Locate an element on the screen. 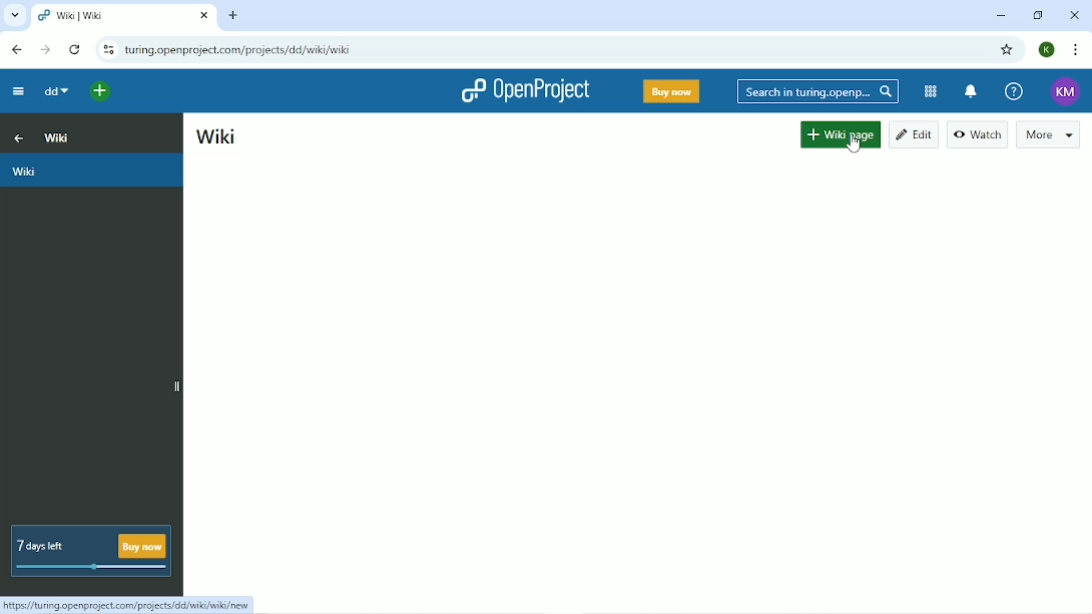 Image resolution: width=1092 pixels, height=614 pixels. Wiki is located at coordinates (92, 170).